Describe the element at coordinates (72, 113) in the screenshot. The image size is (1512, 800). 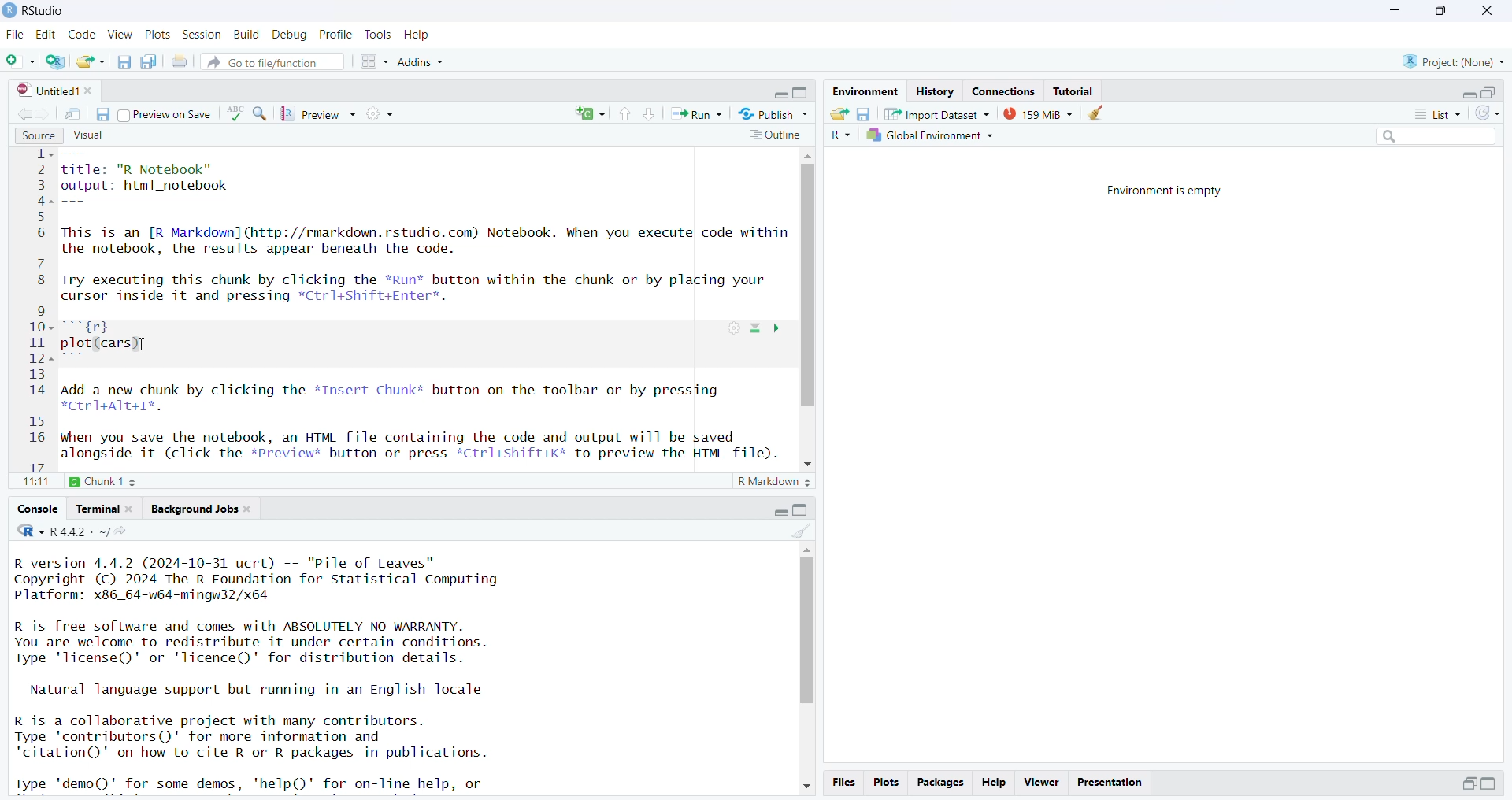
I see `show in new window` at that location.